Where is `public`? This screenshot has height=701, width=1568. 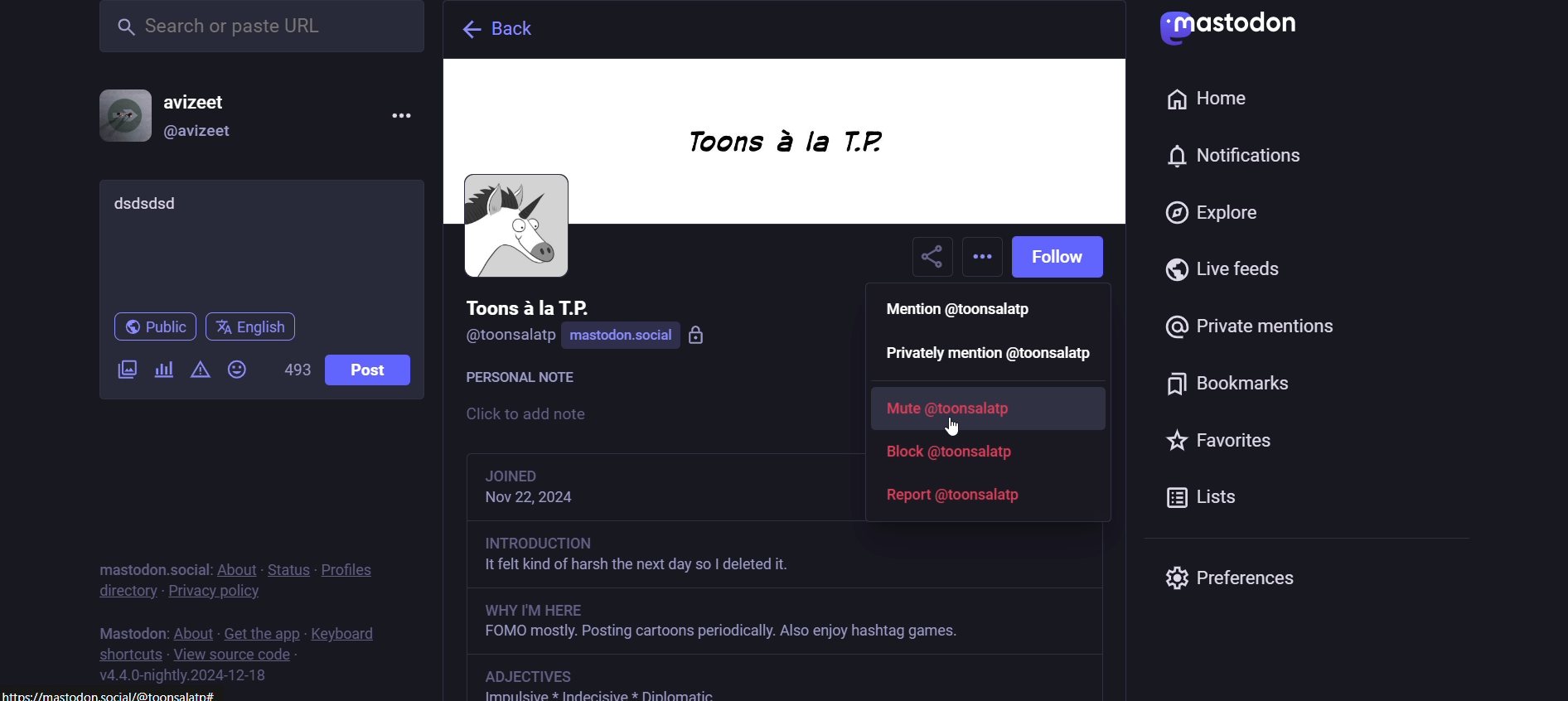 public is located at coordinates (149, 330).